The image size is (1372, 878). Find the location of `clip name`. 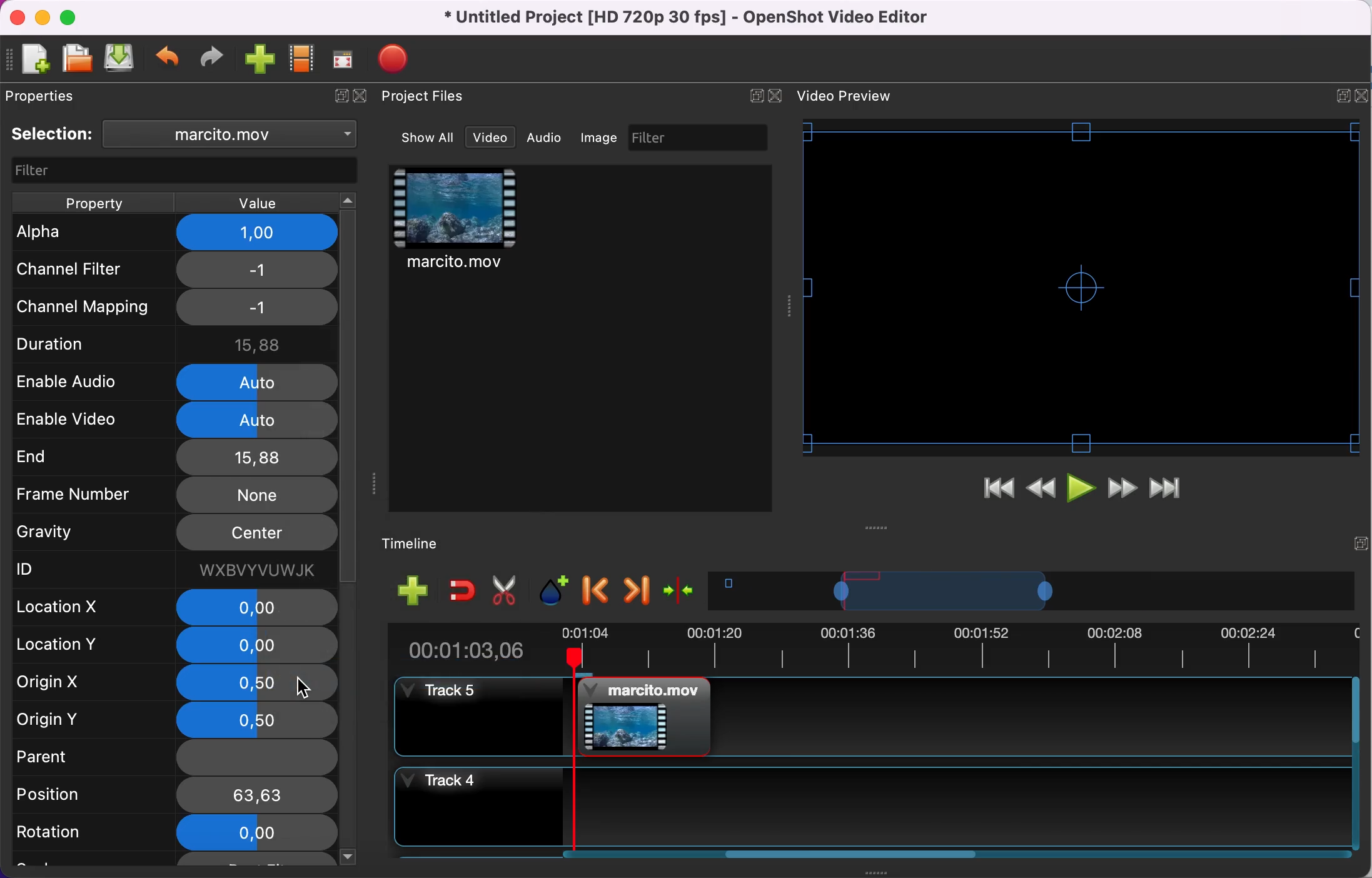

clip name is located at coordinates (236, 133).